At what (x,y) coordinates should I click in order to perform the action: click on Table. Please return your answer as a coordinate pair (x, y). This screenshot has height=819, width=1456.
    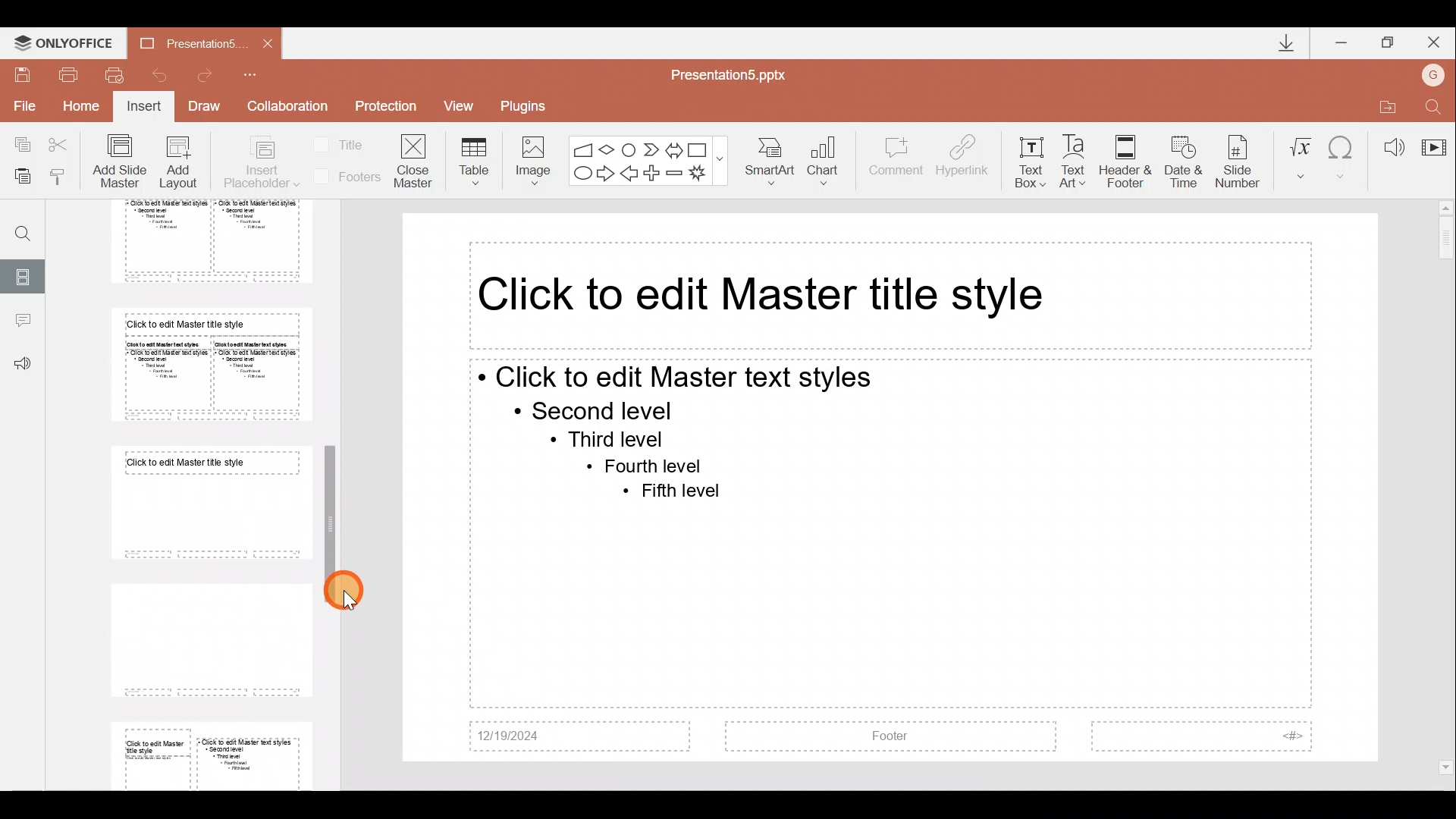
    Looking at the image, I should click on (472, 160).